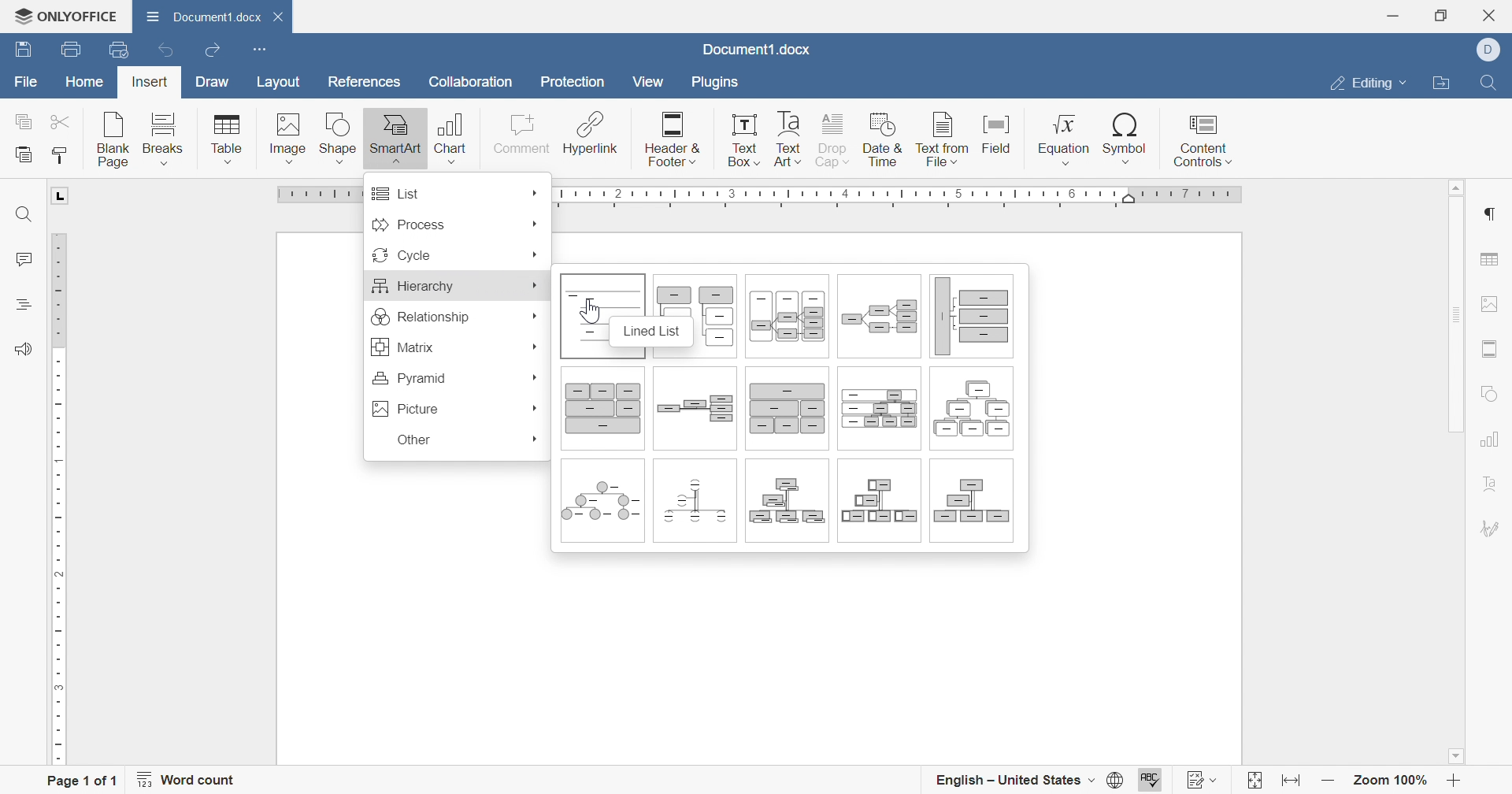  I want to click on Hierarchy, so click(412, 287).